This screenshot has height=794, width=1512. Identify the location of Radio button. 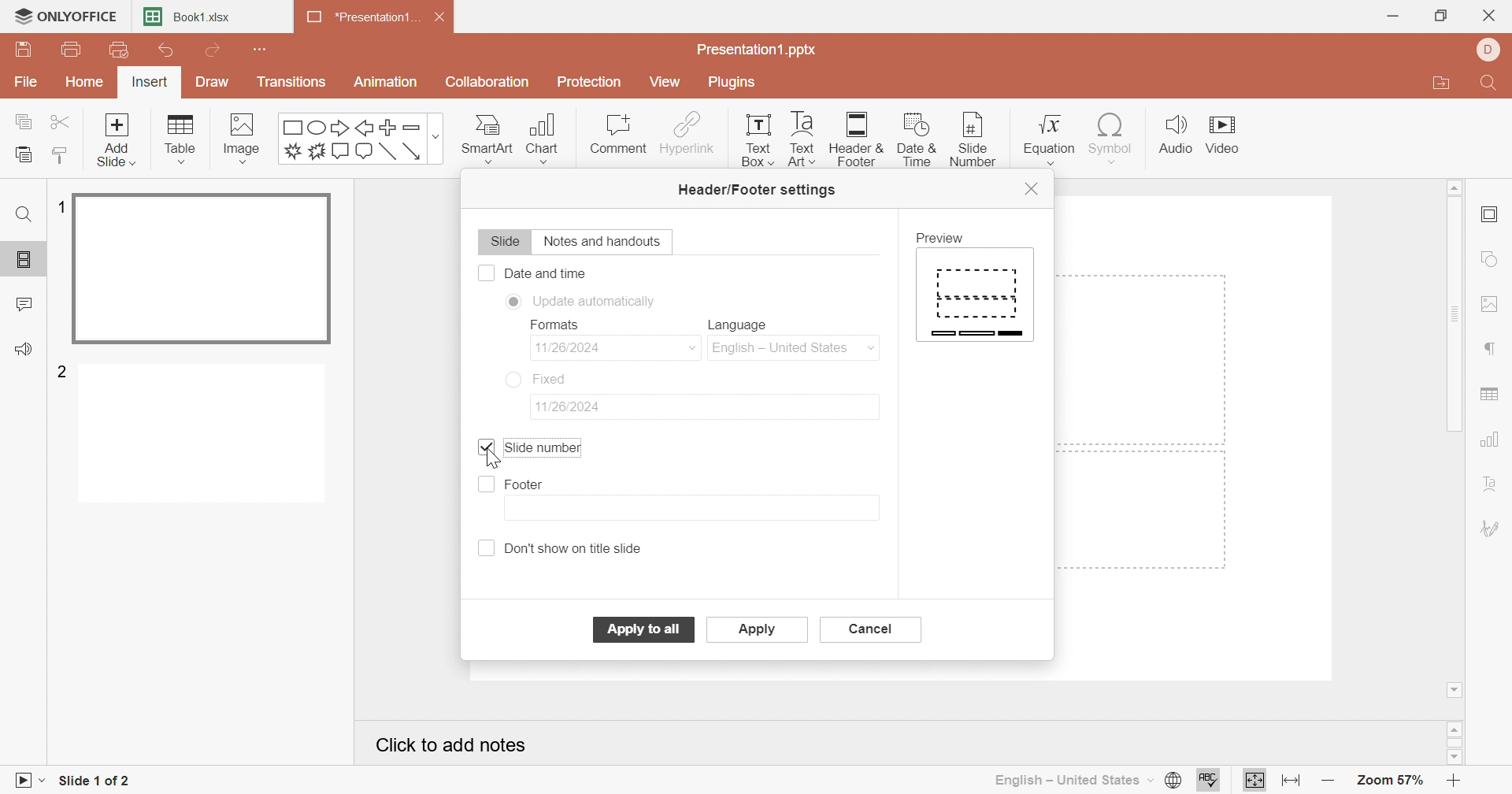
(513, 302).